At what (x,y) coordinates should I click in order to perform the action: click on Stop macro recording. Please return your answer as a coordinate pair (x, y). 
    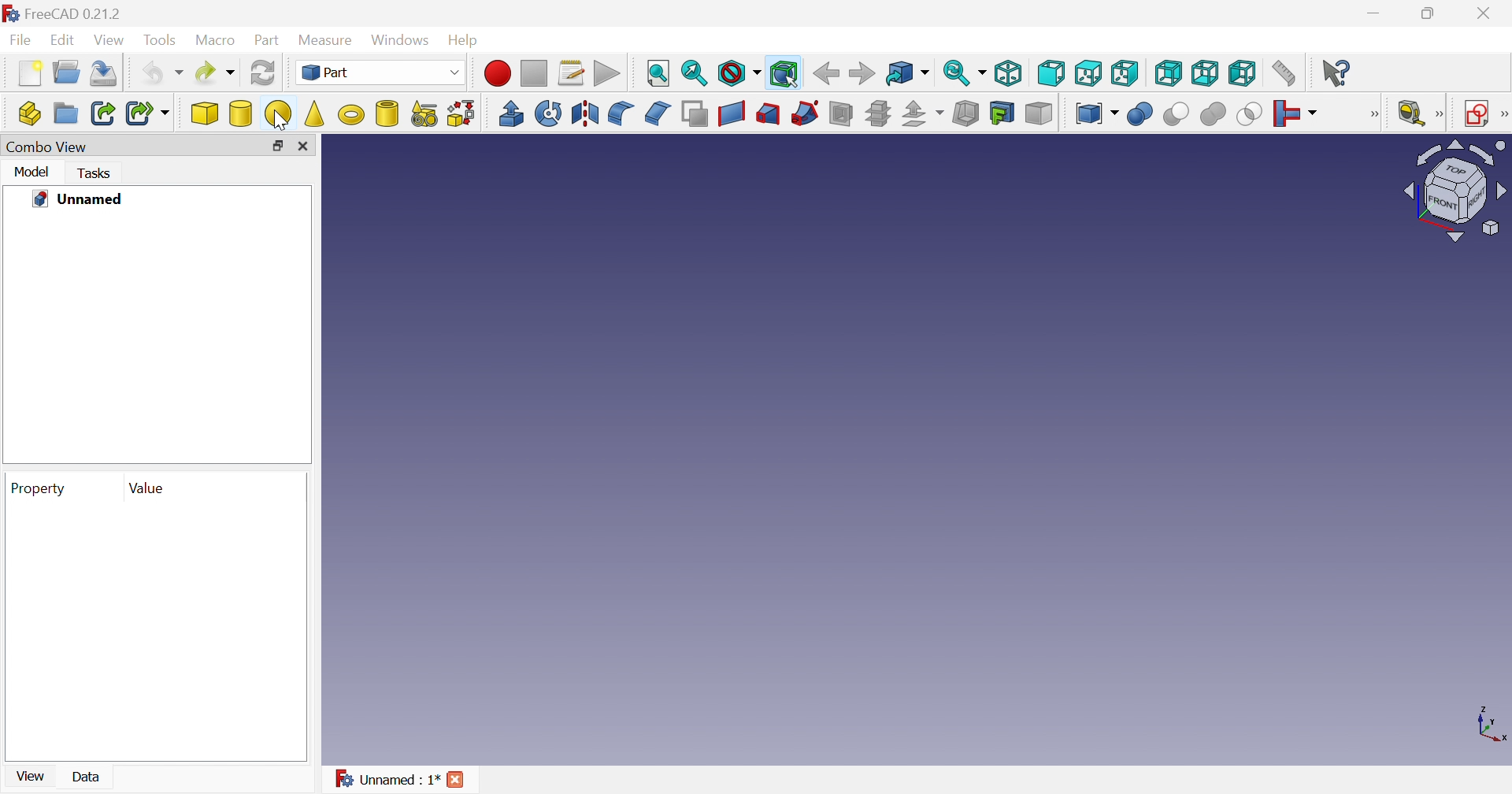
    Looking at the image, I should click on (534, 72).